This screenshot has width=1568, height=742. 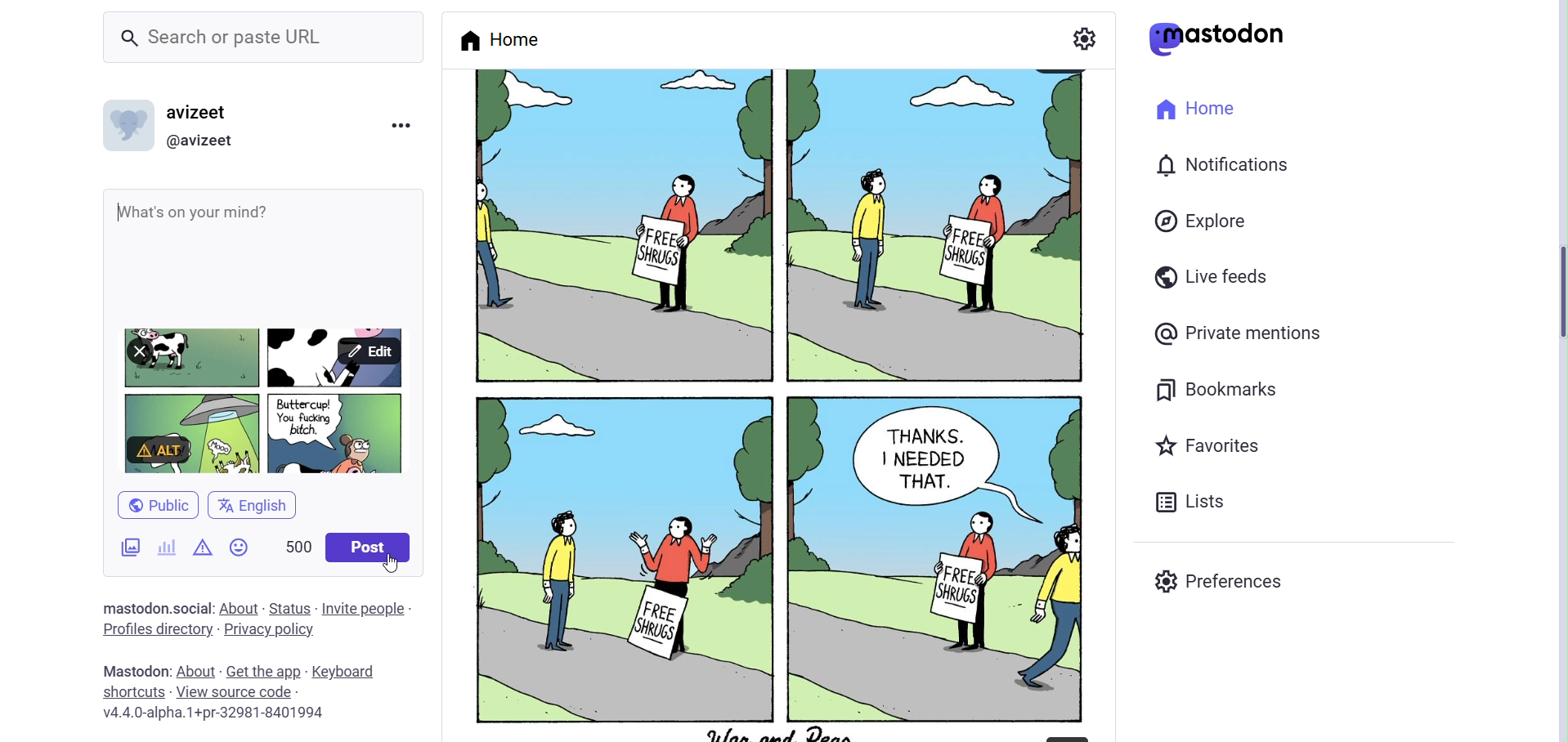 What do you see at coordinates (293, 548) in the screenshot?
I see `Word Limit` at bounding box center [293, 548].